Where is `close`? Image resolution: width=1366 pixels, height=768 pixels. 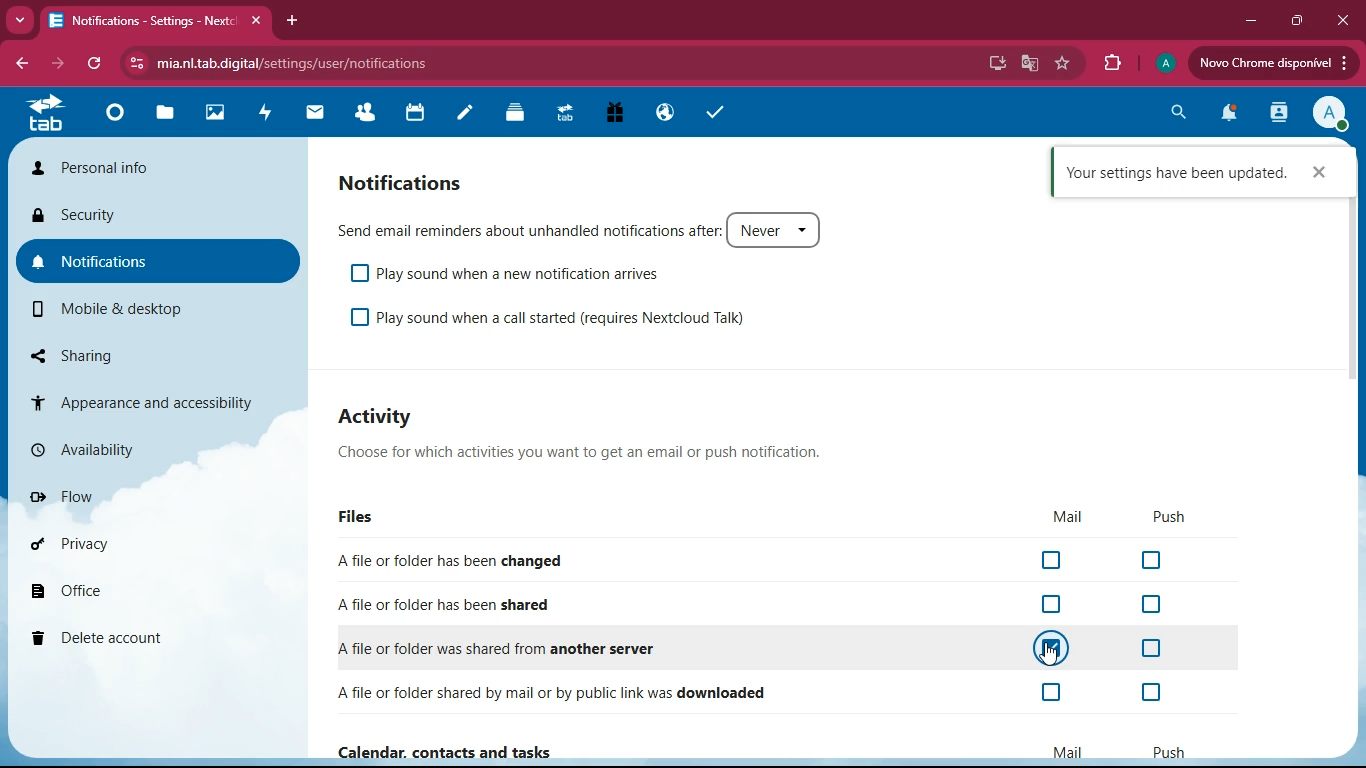
close is located at coordinates (1346, 20).